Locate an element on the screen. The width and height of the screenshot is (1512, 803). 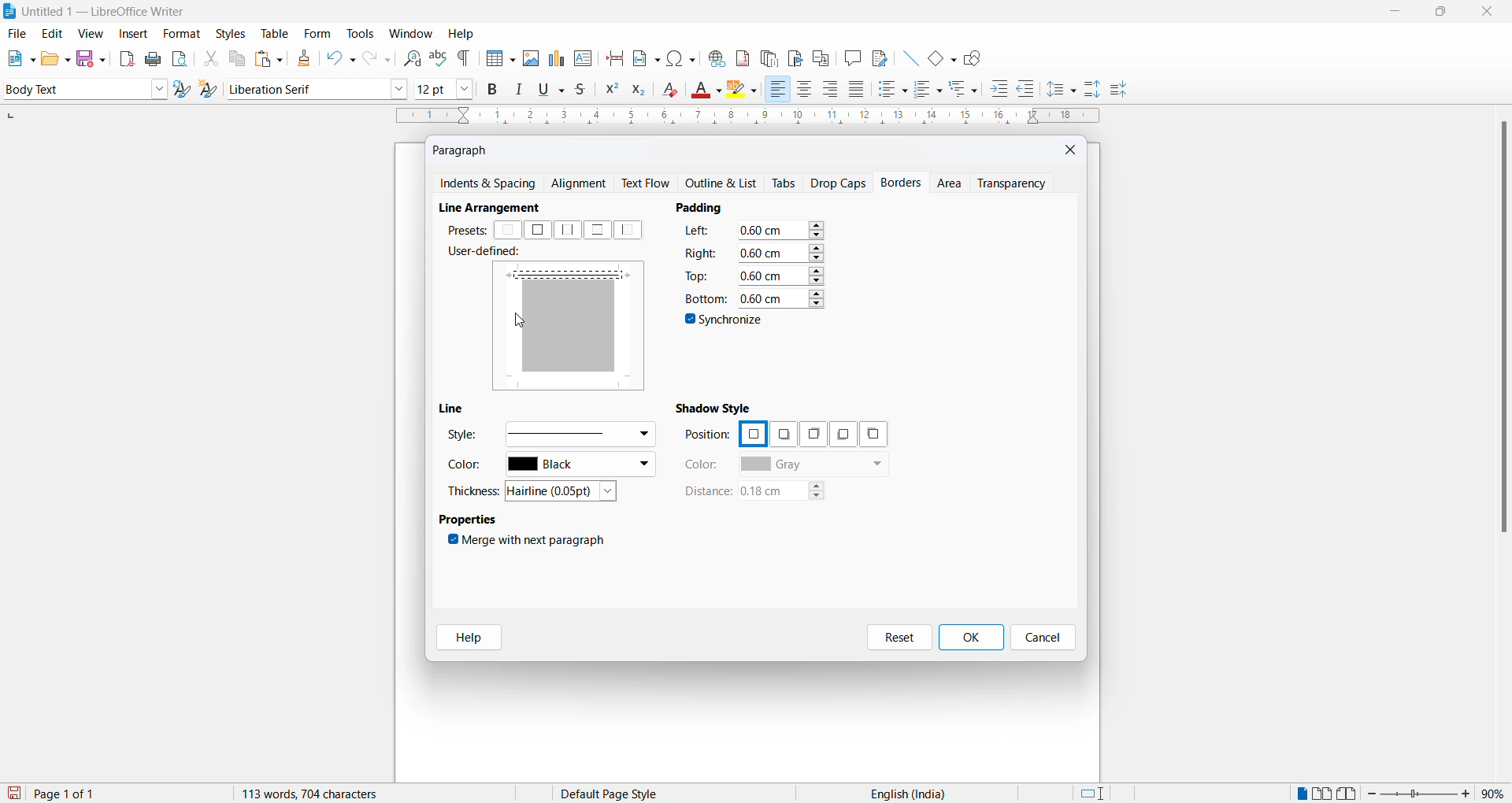
increase indent is located at coordinates (1004, 90).